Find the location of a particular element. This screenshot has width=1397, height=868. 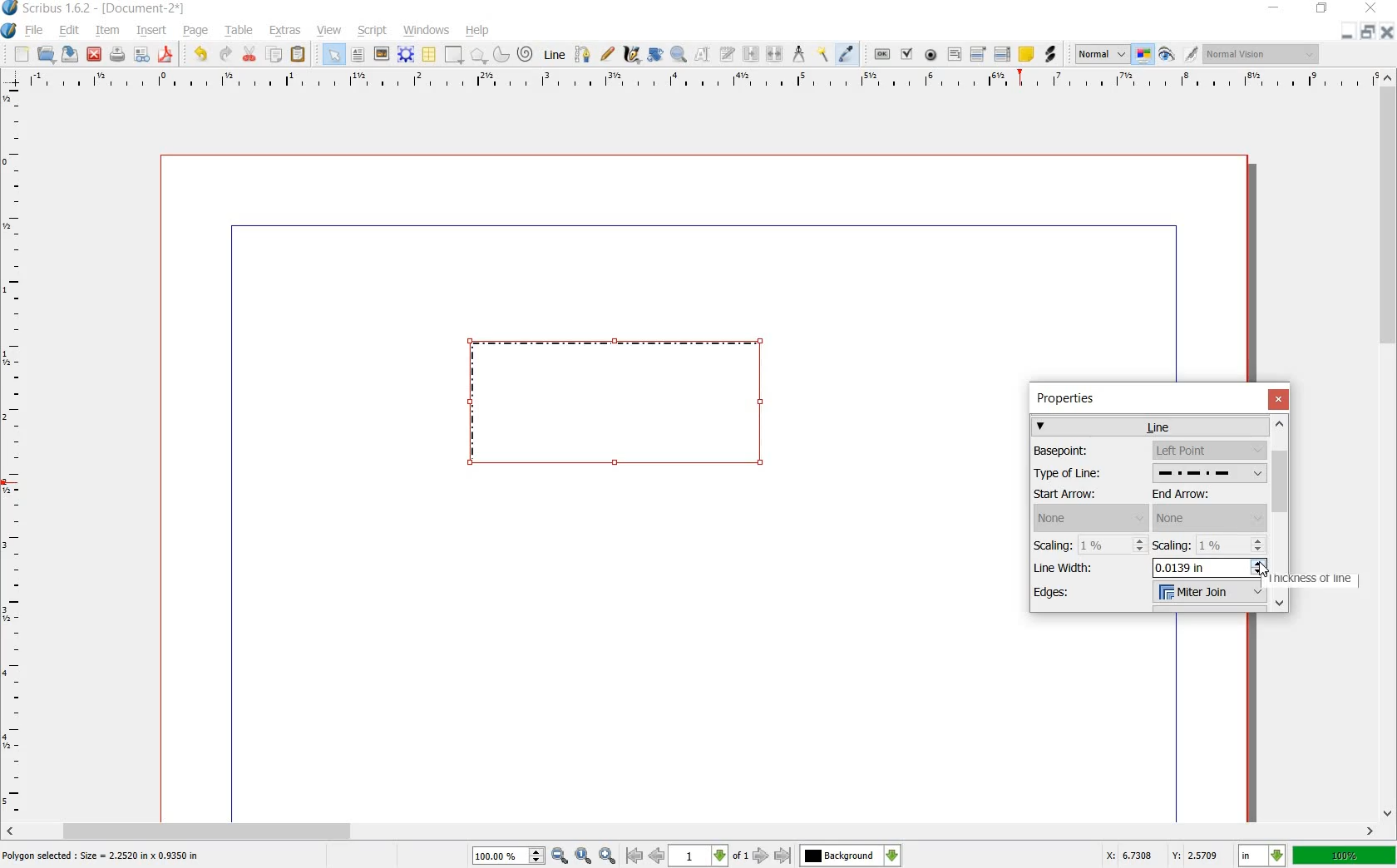

EXTRAS is located at coordinates (286, 32).